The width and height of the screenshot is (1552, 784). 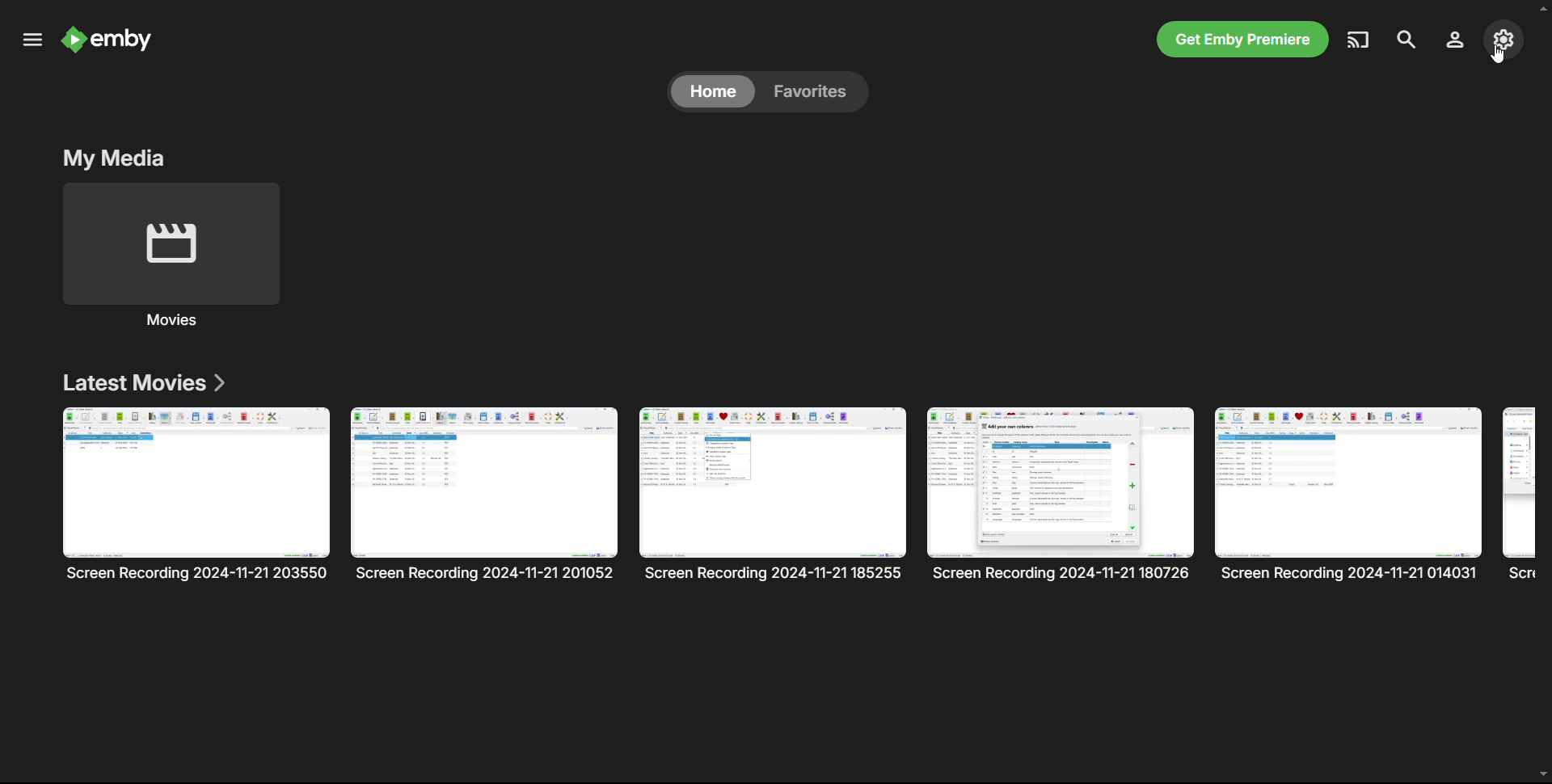 What do you see at coordinates (143, 384) in the screenshot?
I see `latest movies` at bounding box center [143, 384].